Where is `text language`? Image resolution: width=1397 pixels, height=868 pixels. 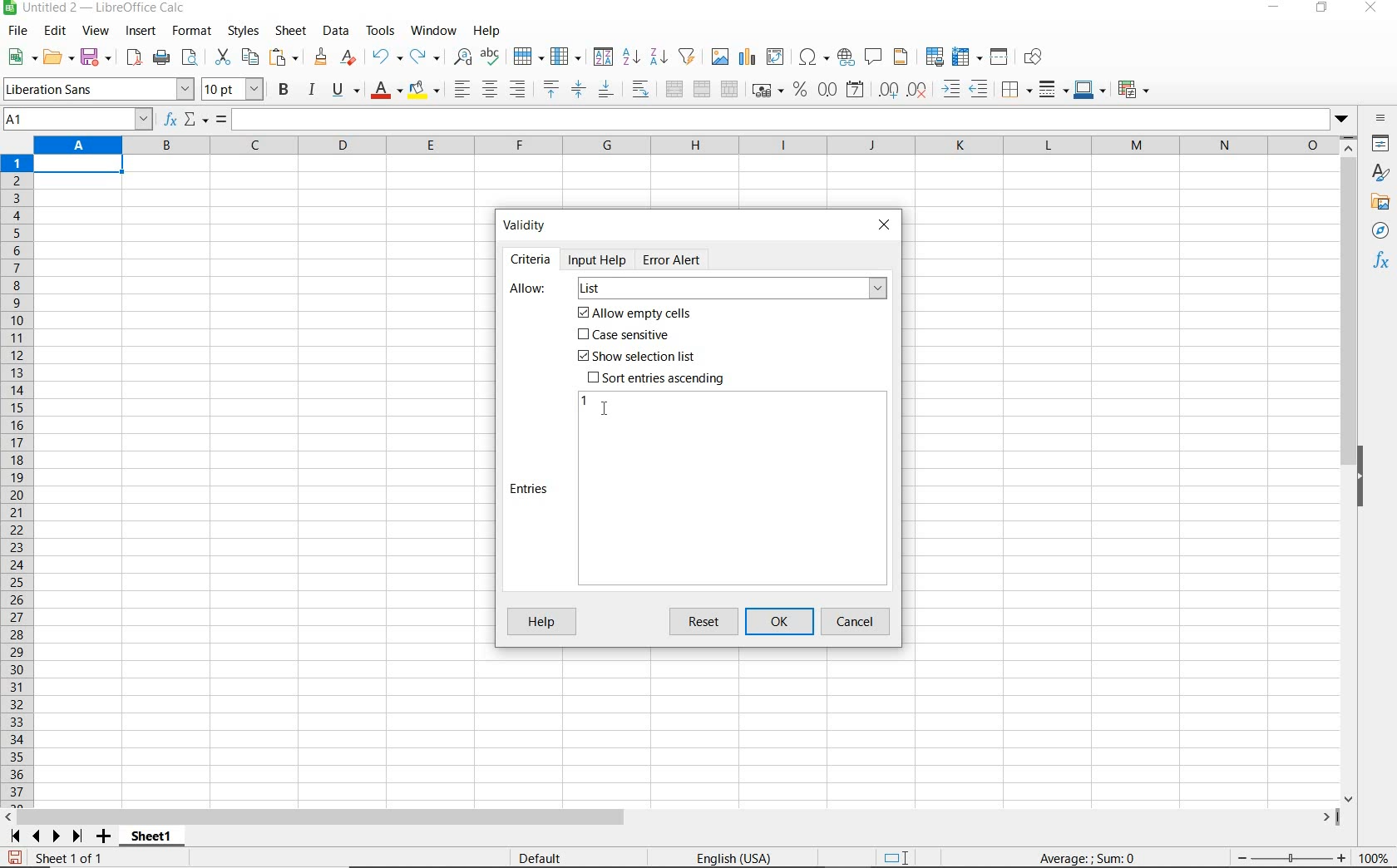
text language is located at coordinates (732, 860).